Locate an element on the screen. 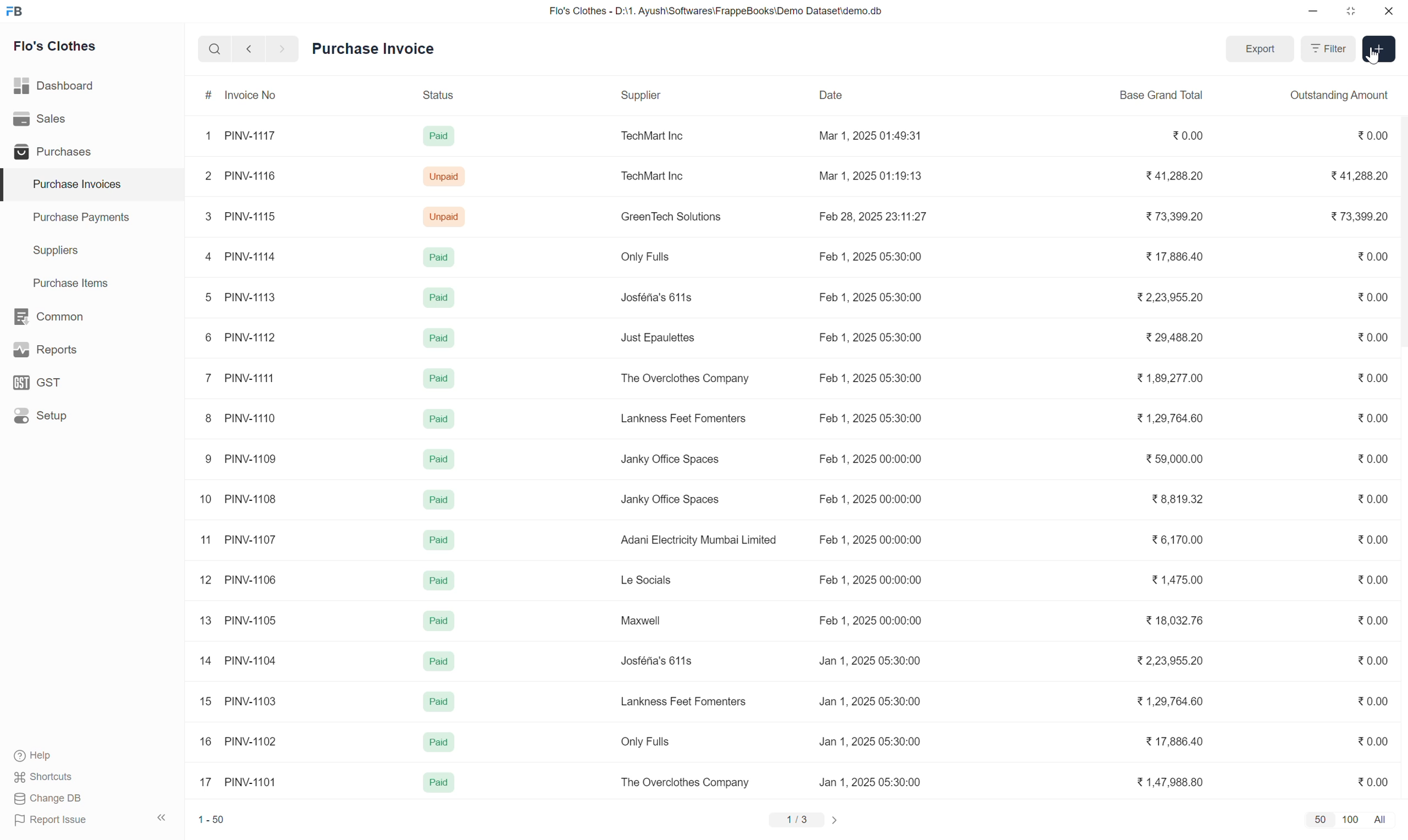 This screenshot has height=840, width=1408. 0.00 is located at coordinates (1372, 458).